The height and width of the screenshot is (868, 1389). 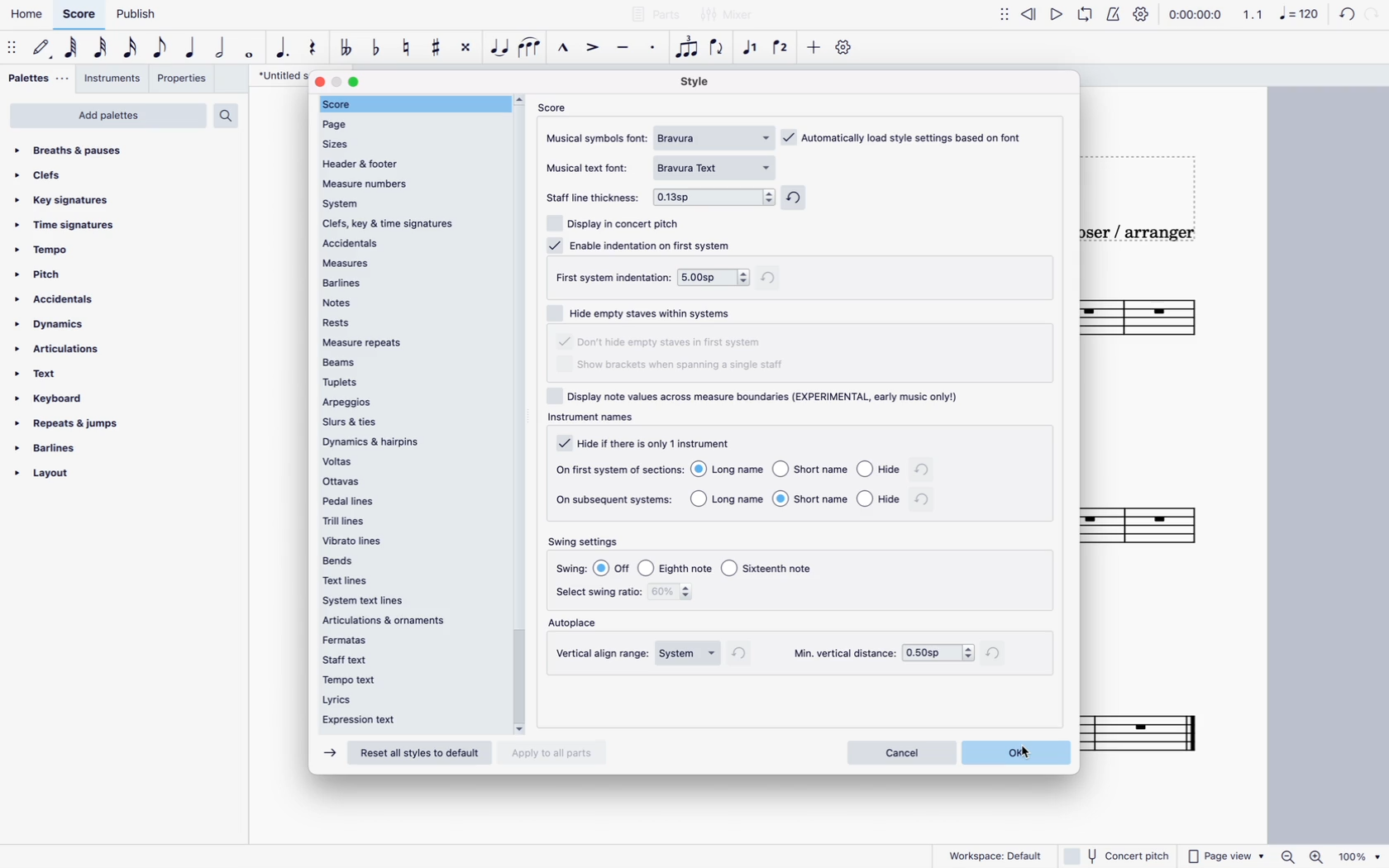 I want to click on on first system of sections, so click(x=618, y=469).